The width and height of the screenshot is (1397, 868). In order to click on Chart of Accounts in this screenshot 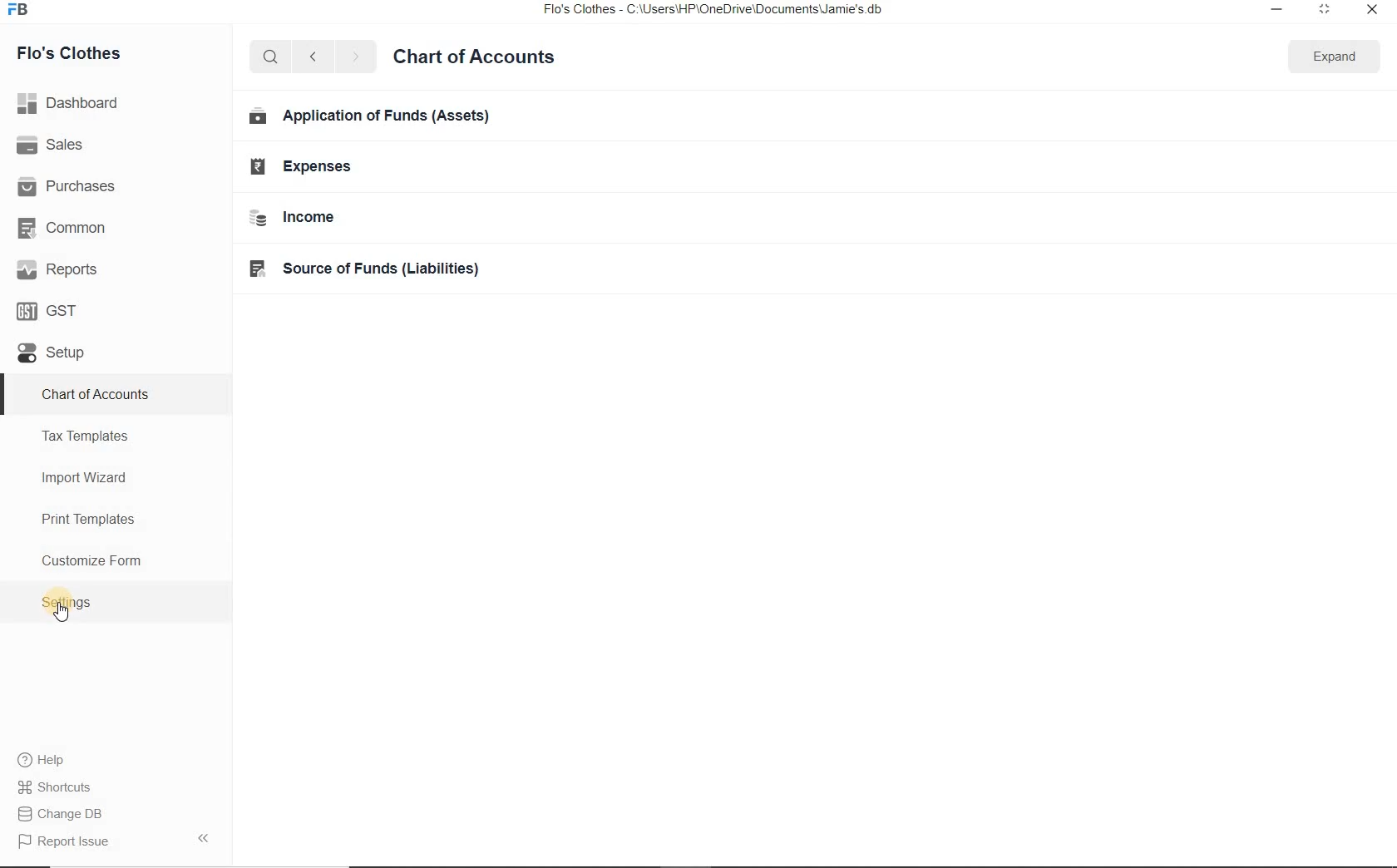, I will do `click(102, 395)`.